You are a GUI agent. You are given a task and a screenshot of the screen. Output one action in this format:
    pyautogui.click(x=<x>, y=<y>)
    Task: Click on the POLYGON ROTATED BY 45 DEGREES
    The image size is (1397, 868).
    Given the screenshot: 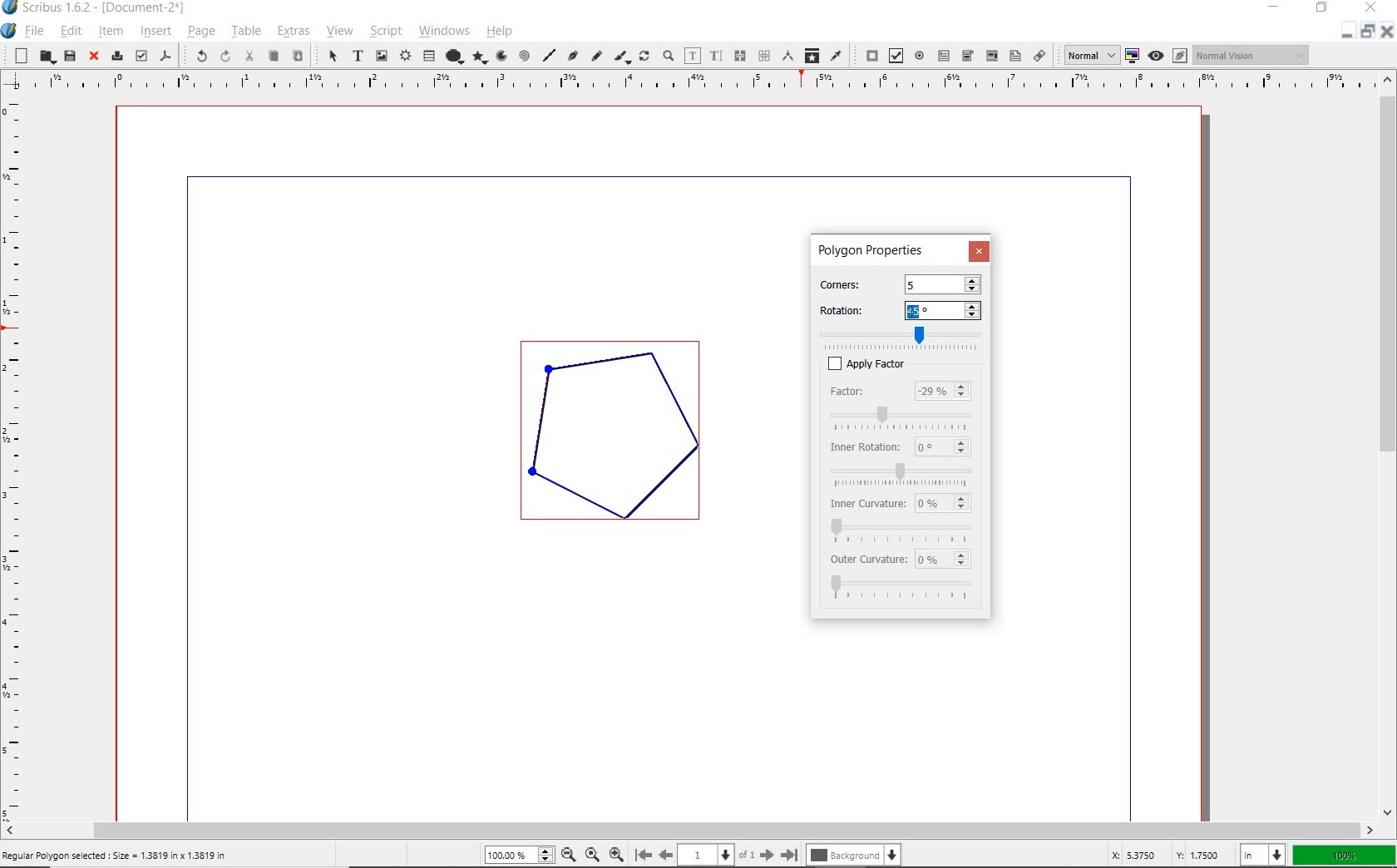 What is the action you would take?
    pyautogui.click(x=620, y=439)
    